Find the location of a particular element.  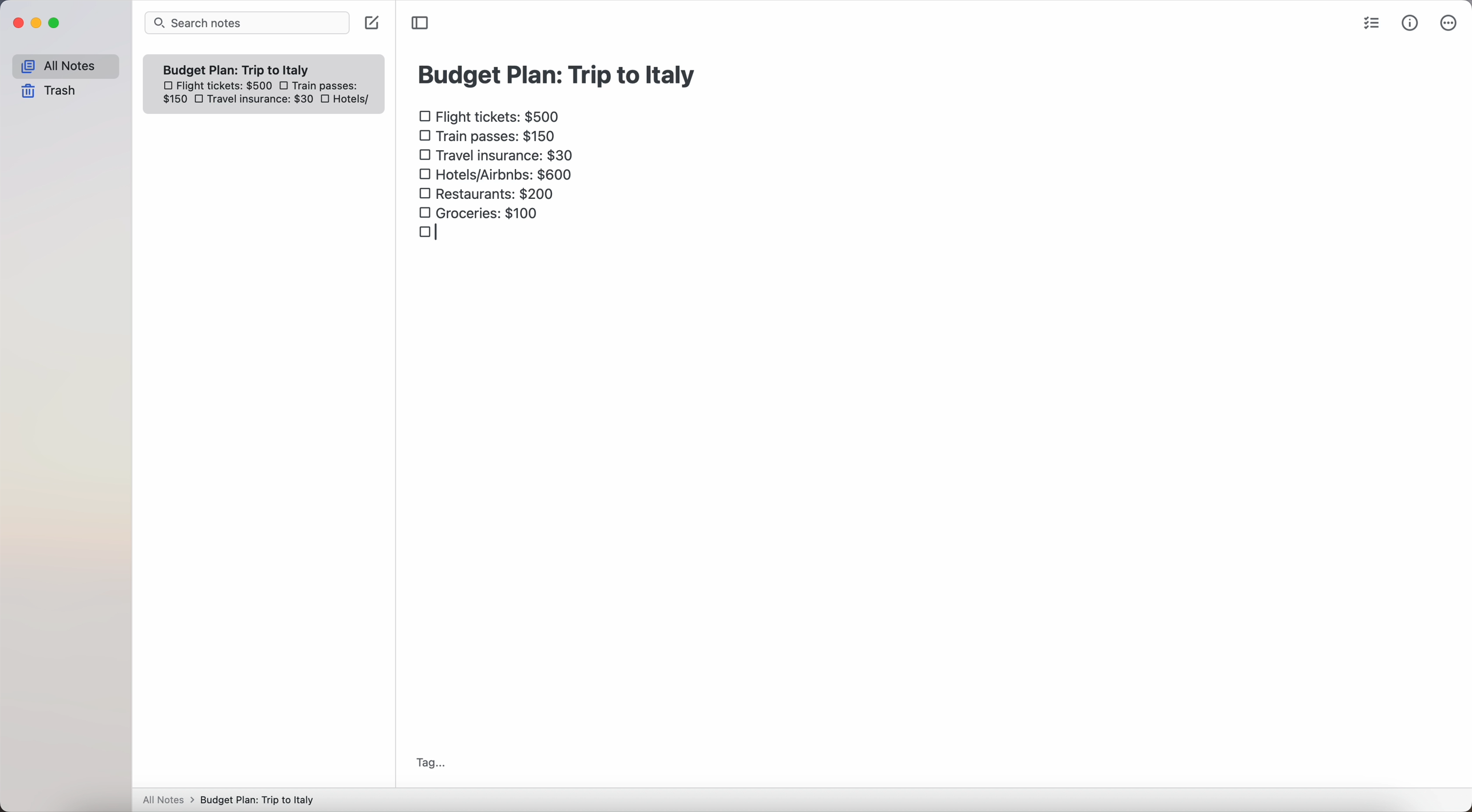

travel insurance: $30 checkbox is located at coordinates (498, 155).